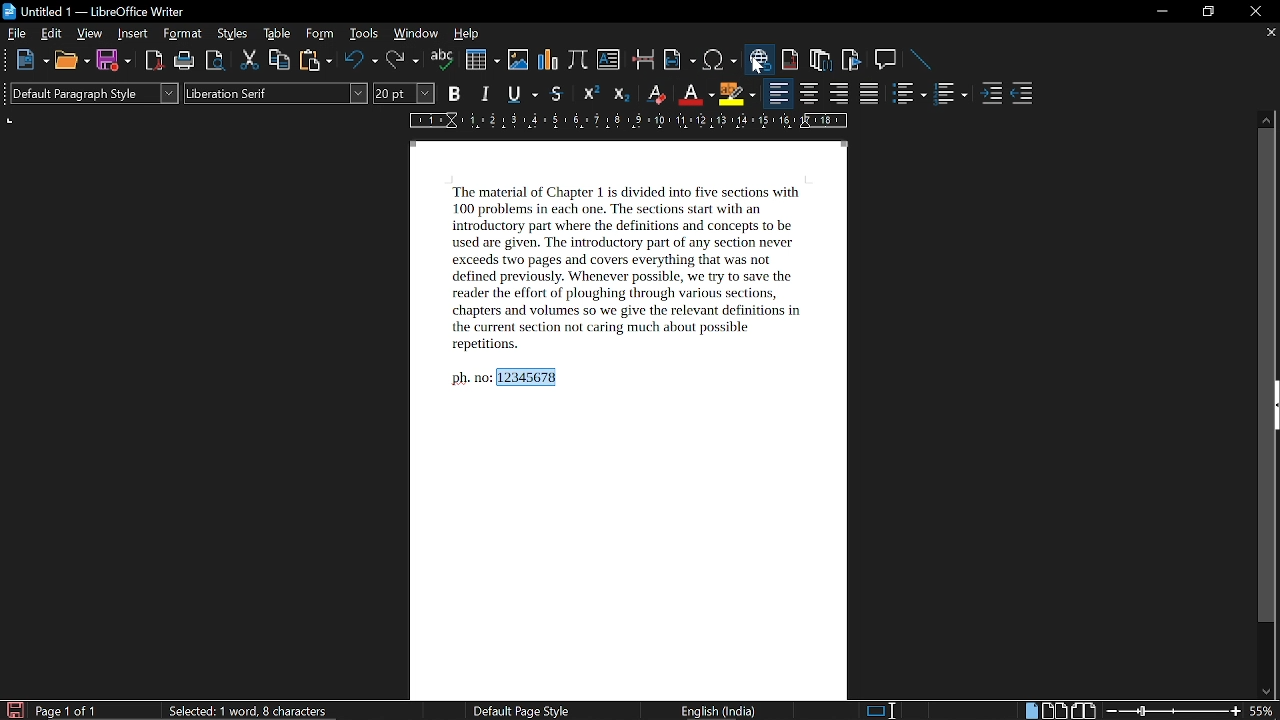 The image size is (1280, 720). I want to click on paragraph style, so click(94, 93).